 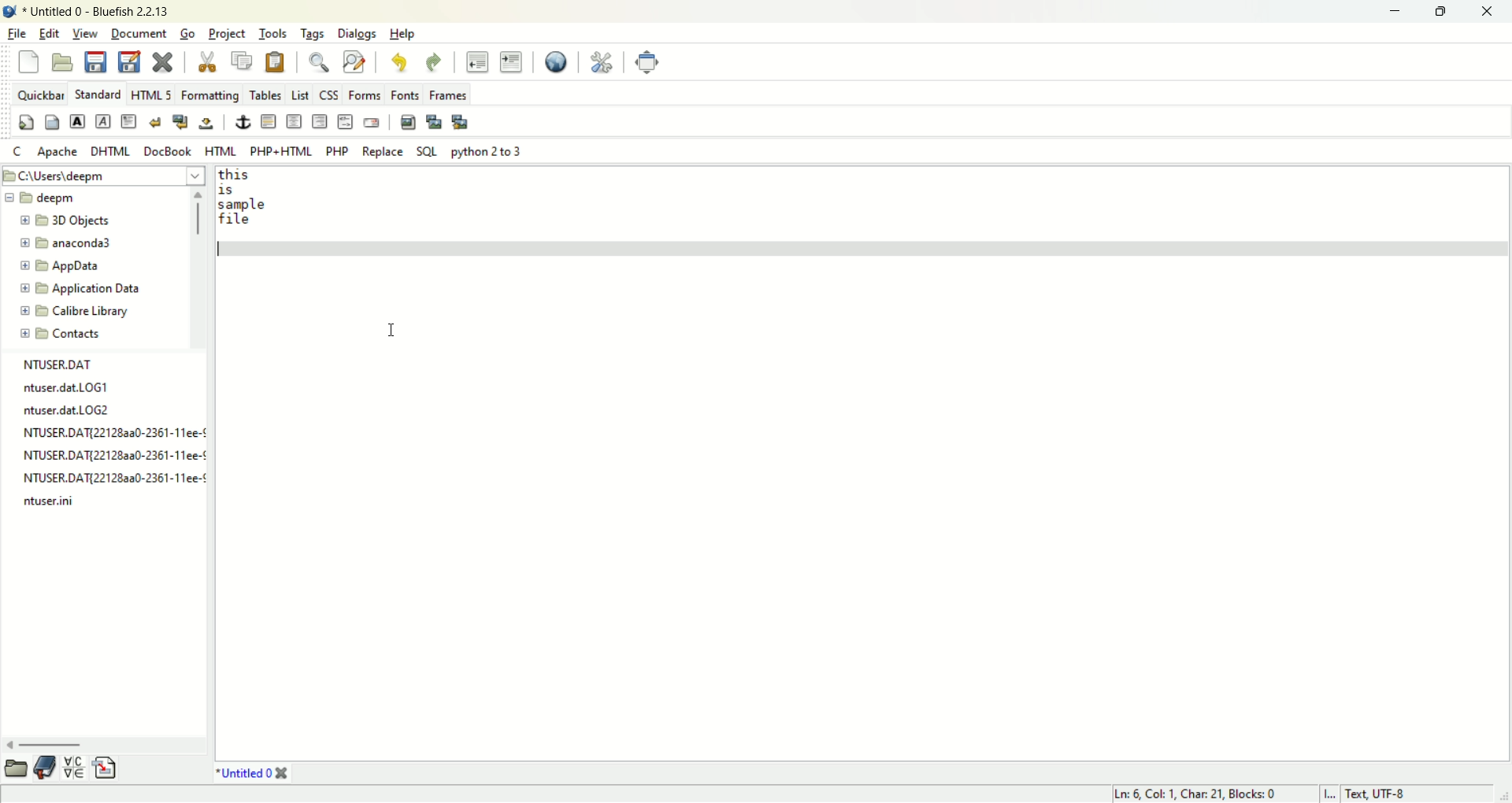 I want to click on 3D object, so click(x=65, y=220).